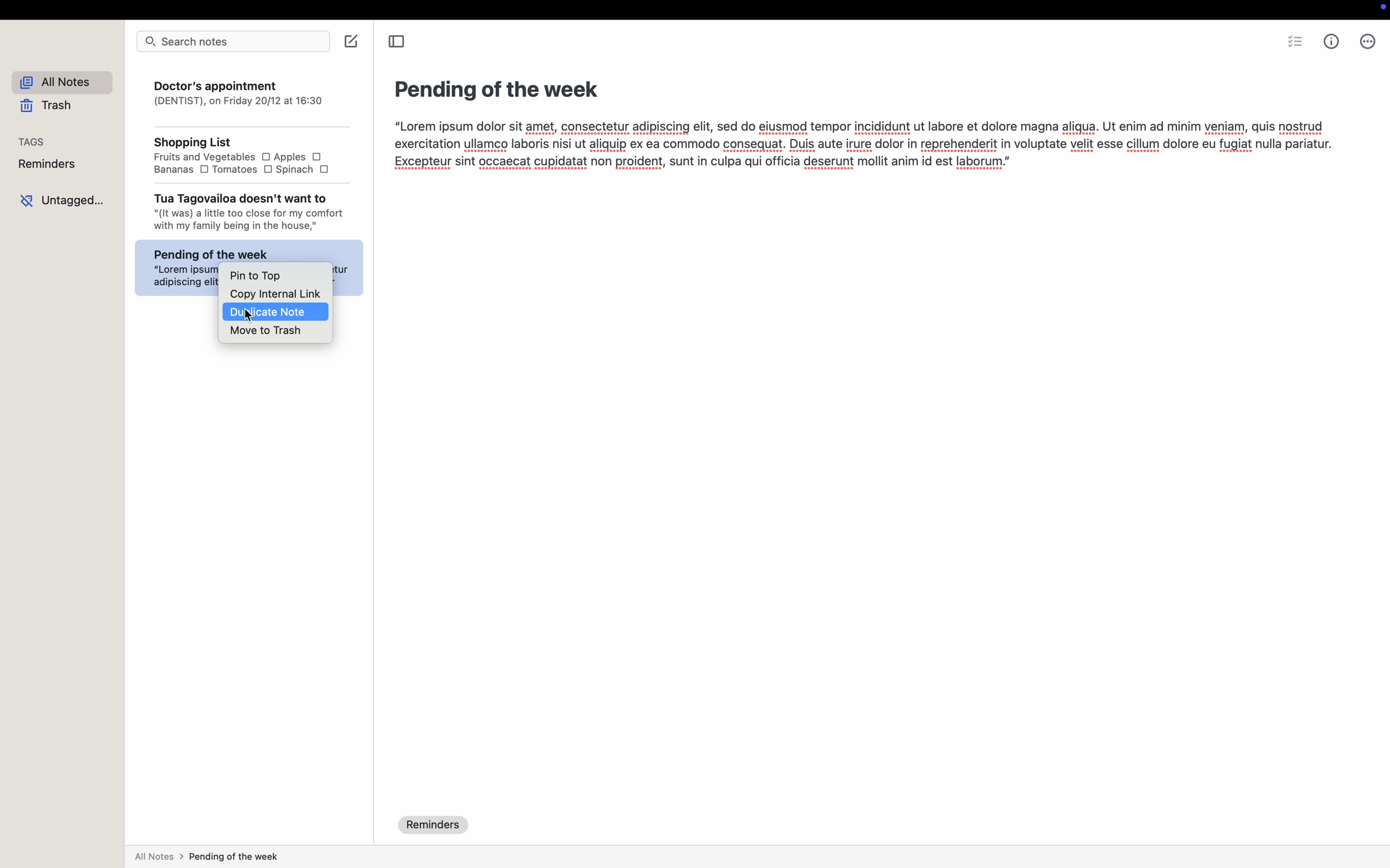 The image size is (1390, 868). Describe the element at coordinates (1297, 42) in the screenshot. I see `check list` at that location.